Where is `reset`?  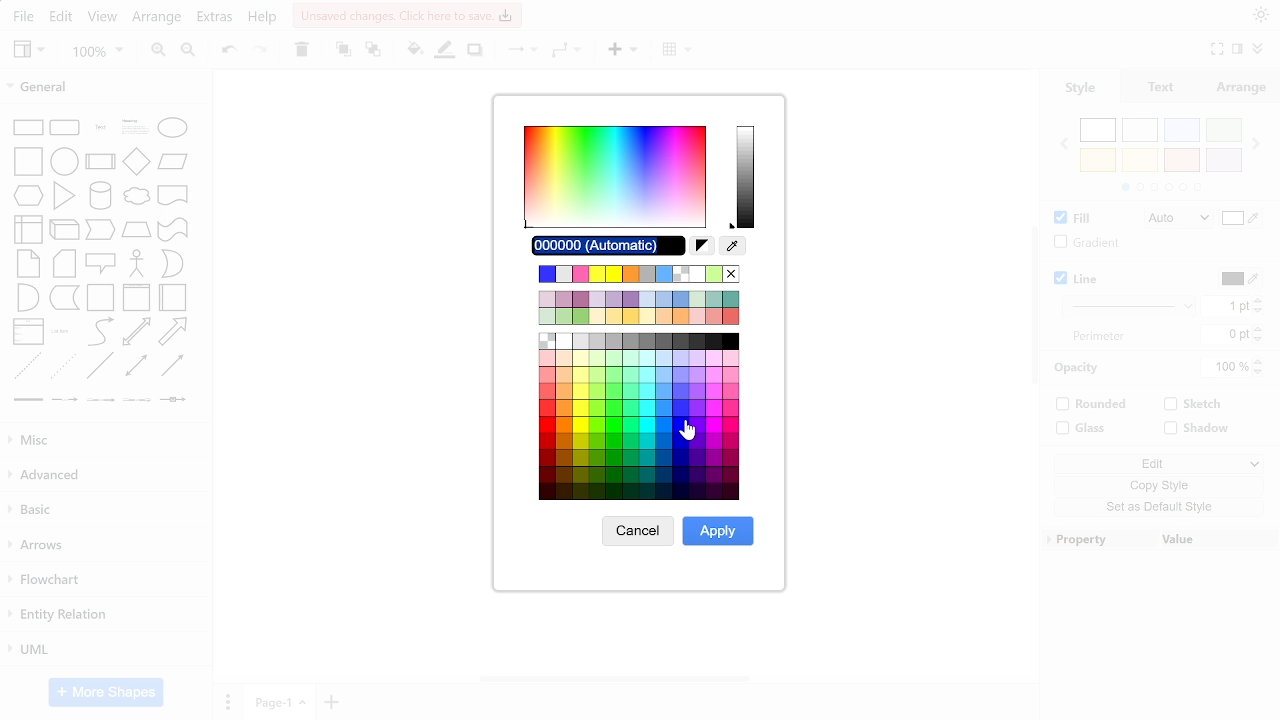 reset is located at coordinates (702, 246).